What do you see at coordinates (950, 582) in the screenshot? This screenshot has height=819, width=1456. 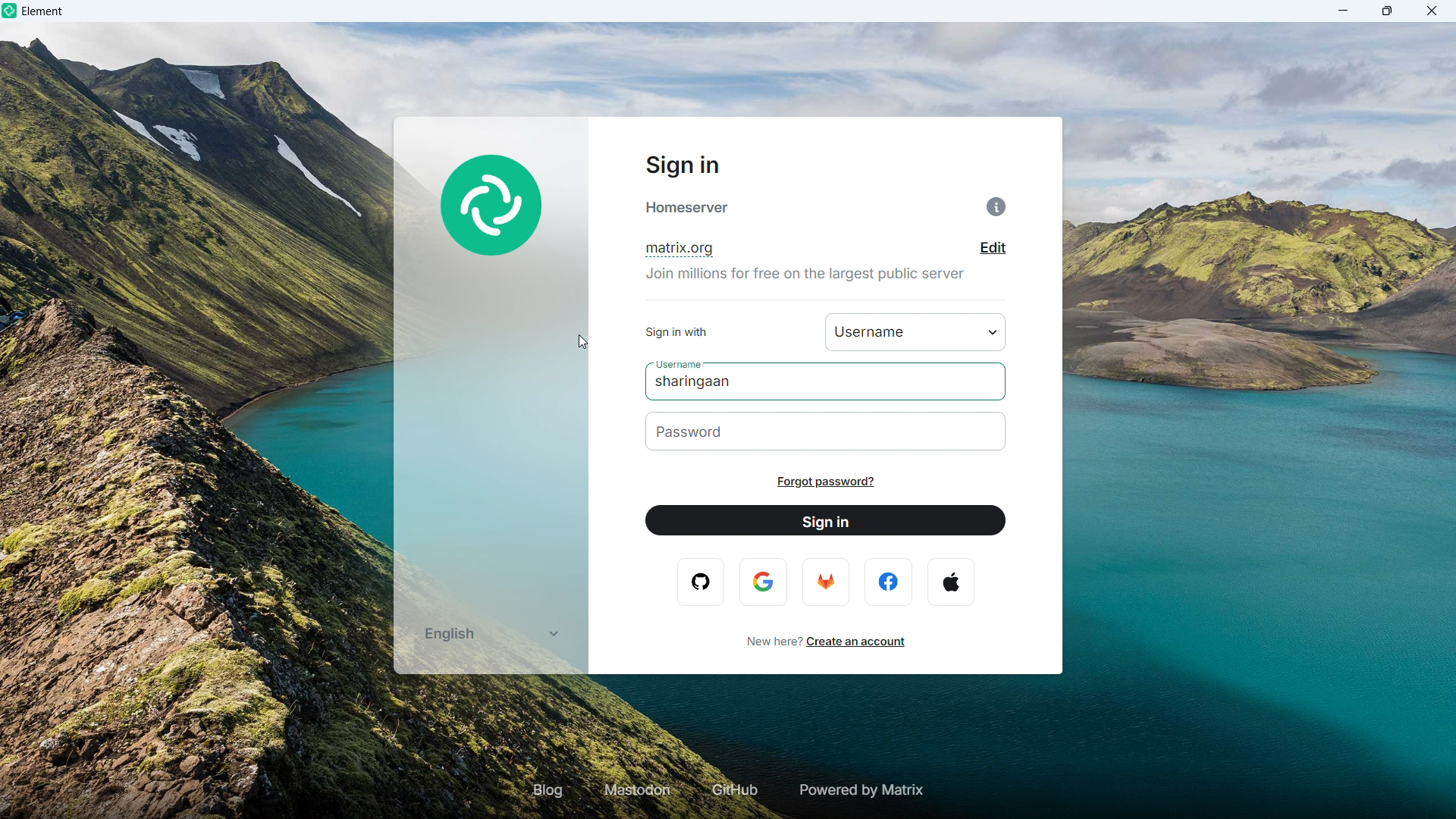 I see `apple logo` at bounding box center [950, 582].